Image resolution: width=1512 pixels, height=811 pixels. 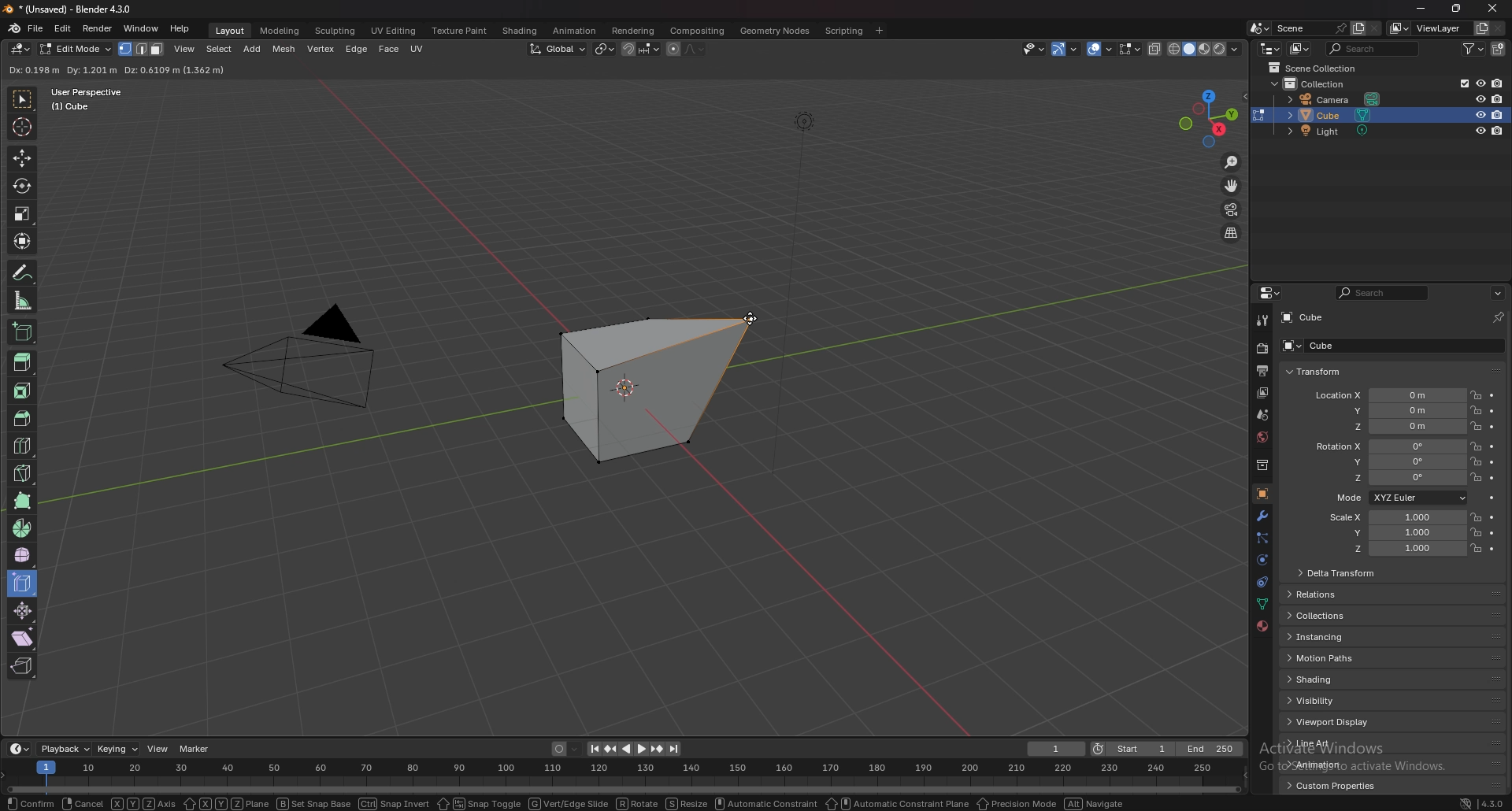 I want to click on rotation y, so click(x=1392, y=463).